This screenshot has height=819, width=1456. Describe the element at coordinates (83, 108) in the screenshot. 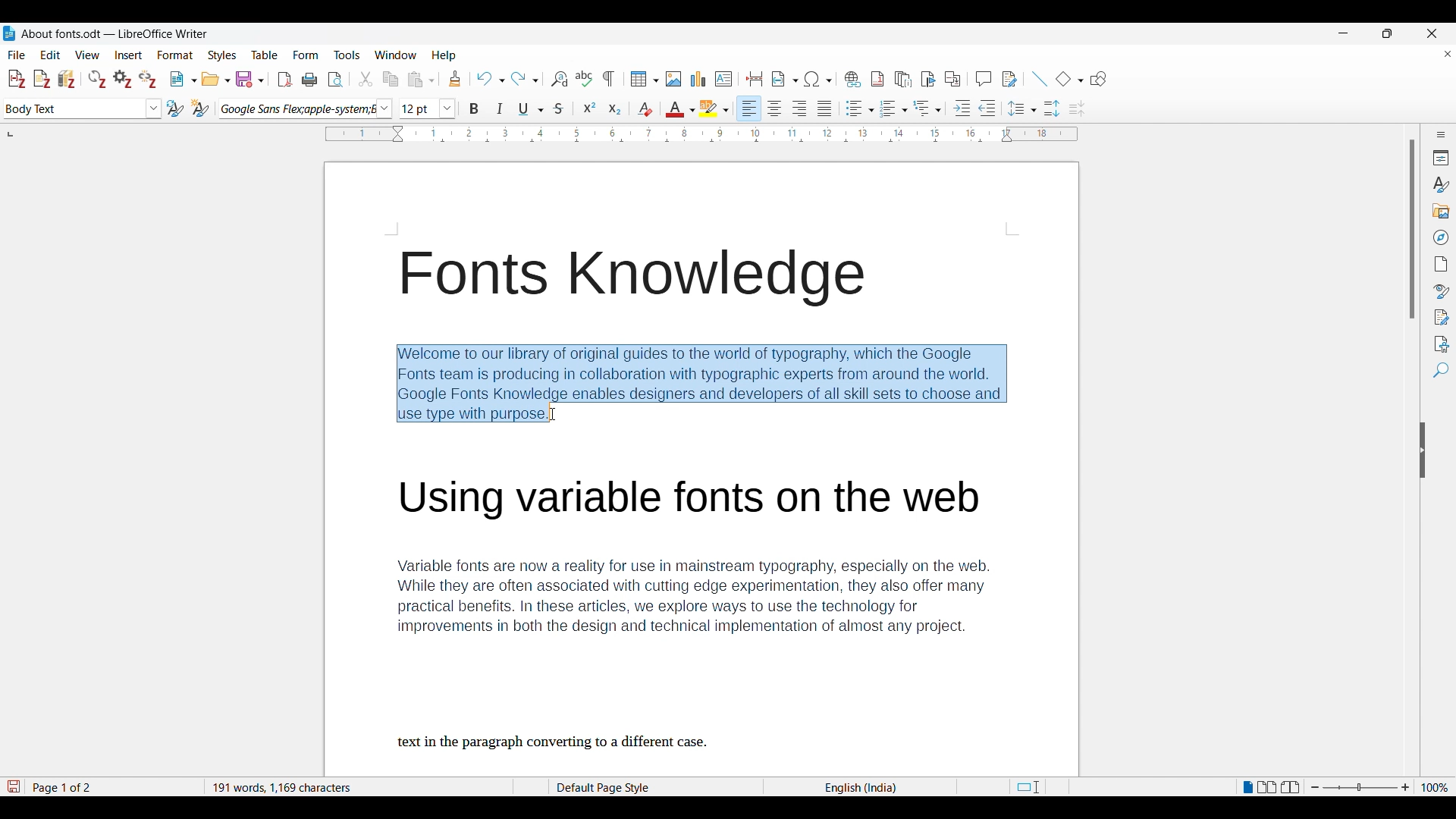

I see `Paragraph style options` at that location.